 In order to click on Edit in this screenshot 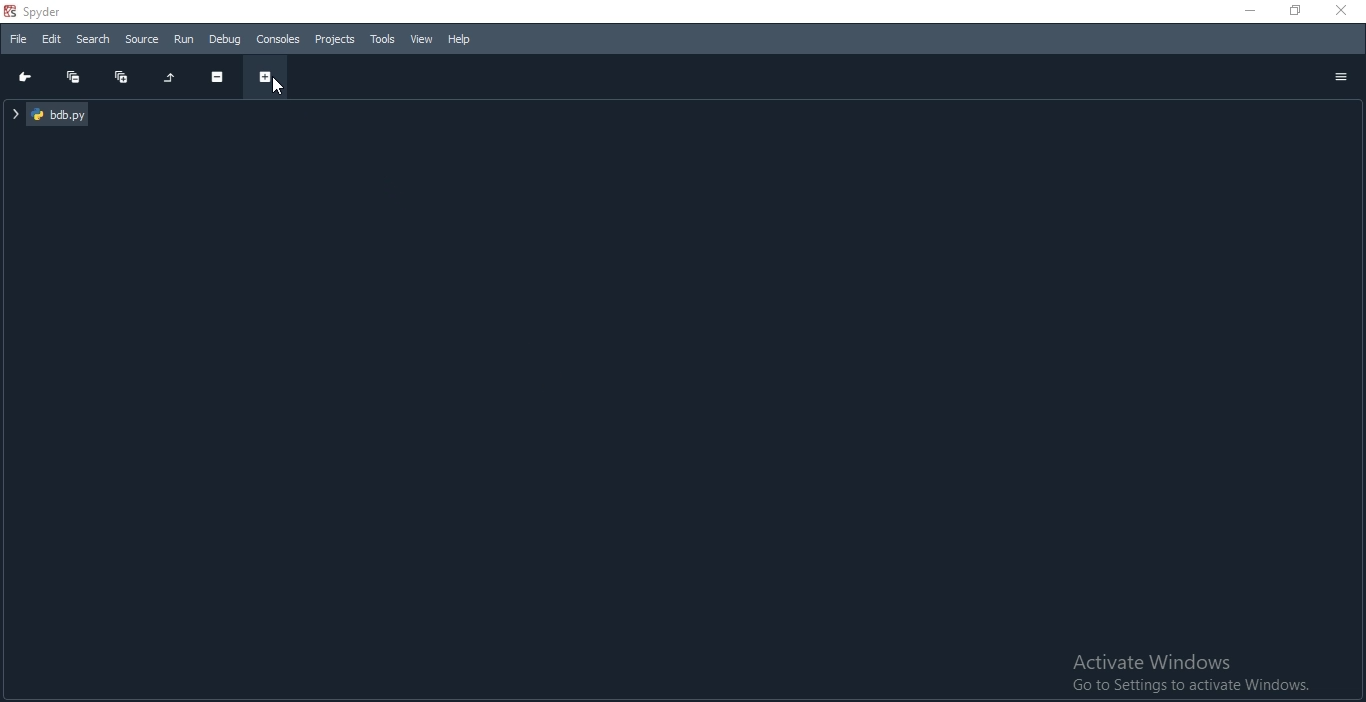, I will do `click(51, 39)`.